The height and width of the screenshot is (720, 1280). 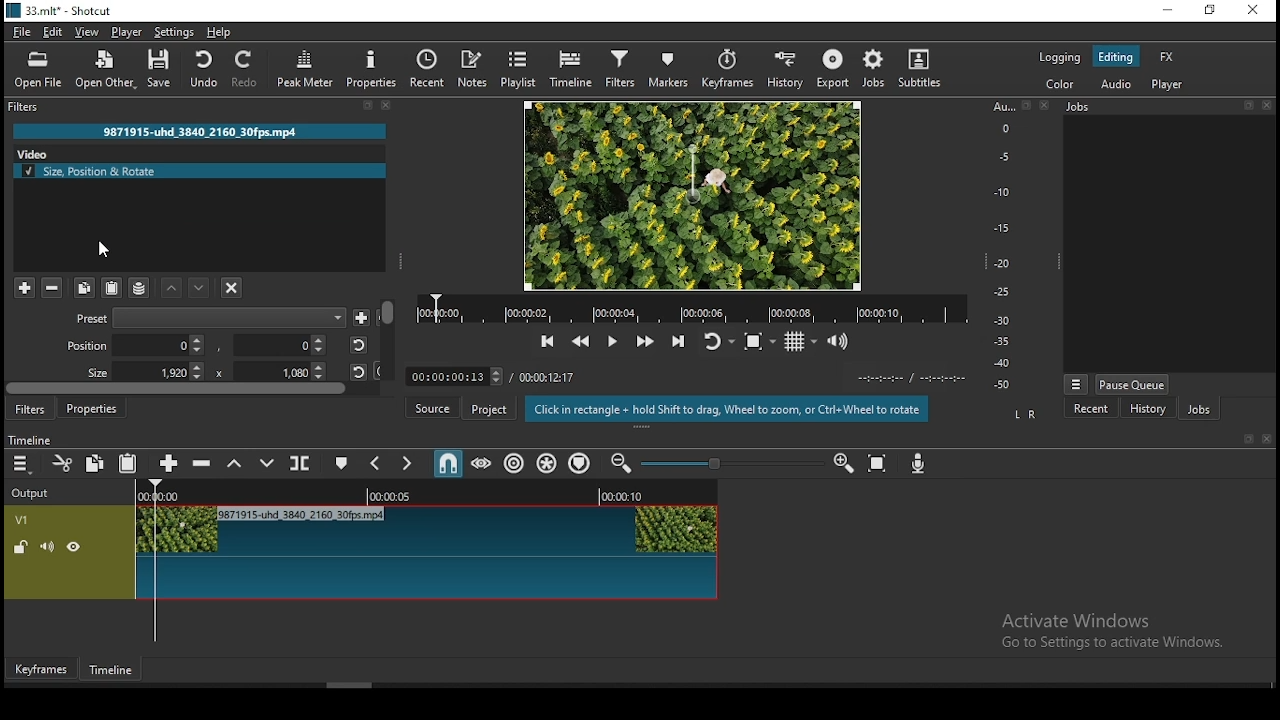 What do you see at coordinates (21, 464) in the screenshot?
I see `menu` at bounding box center [21, 464].